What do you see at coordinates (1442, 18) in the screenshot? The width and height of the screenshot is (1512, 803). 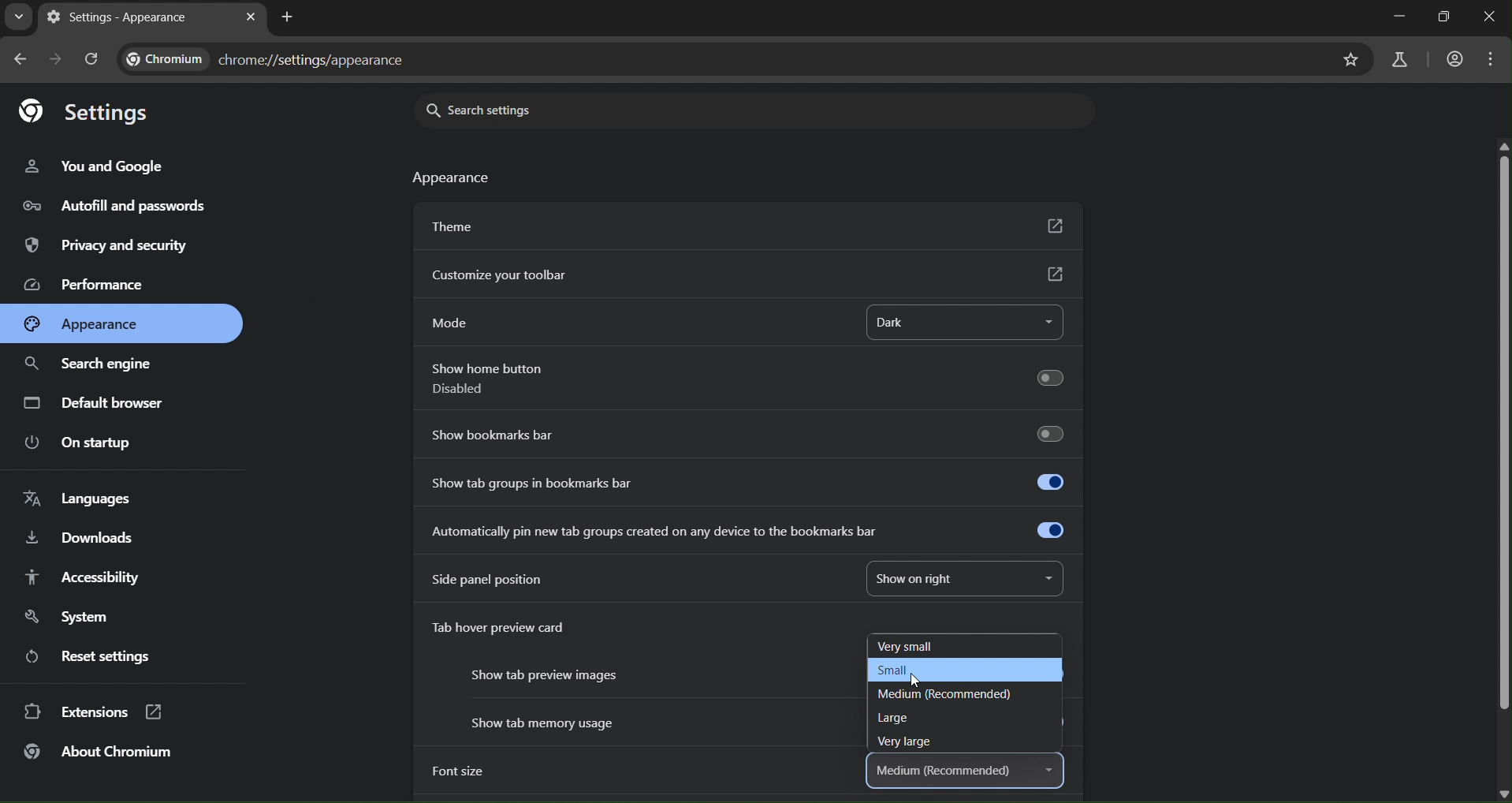 I see `restore down` at bounding box center [1442, 18].